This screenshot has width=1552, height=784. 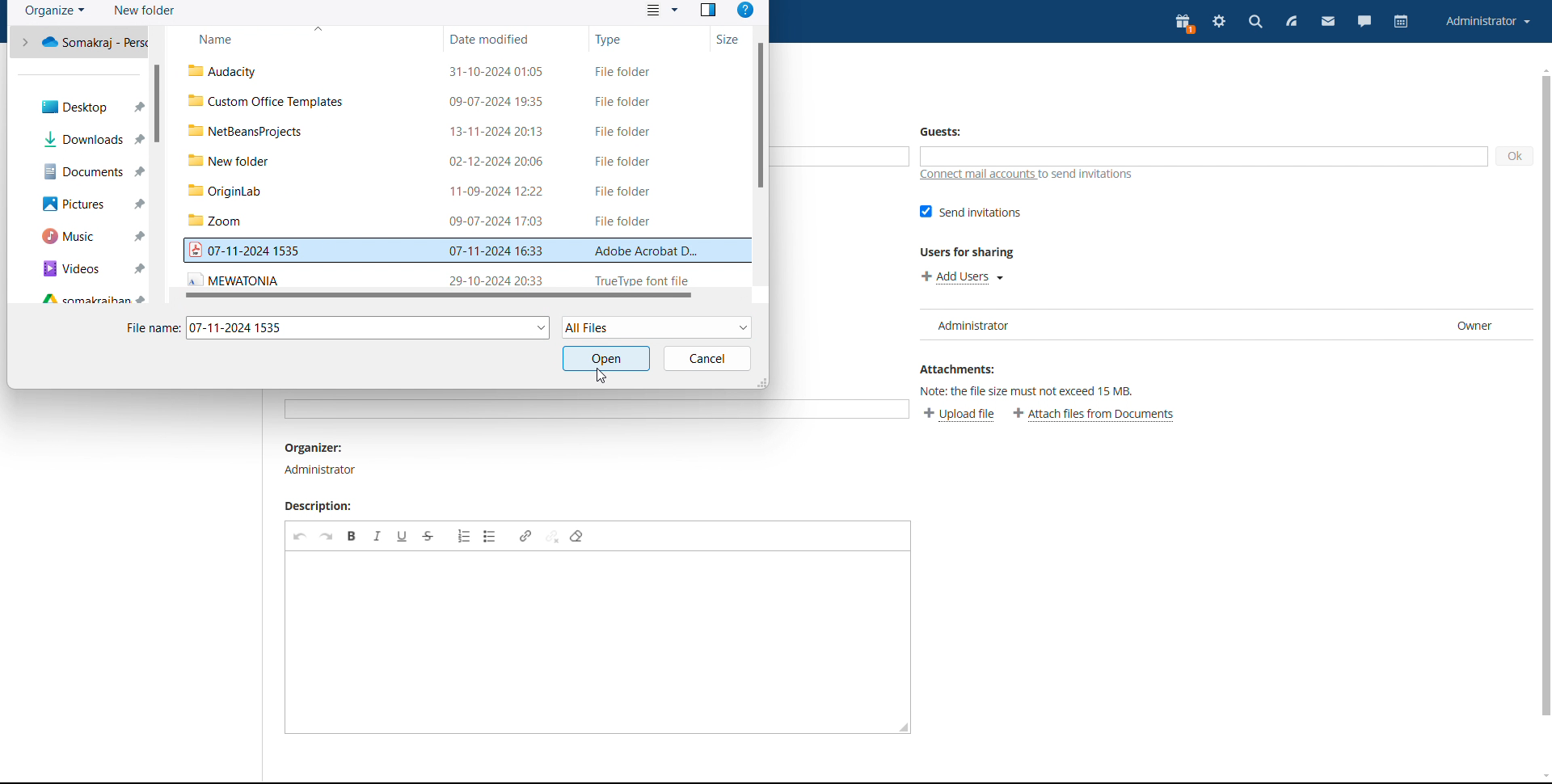 I want to click on date modified, so click(x=514, y=37).